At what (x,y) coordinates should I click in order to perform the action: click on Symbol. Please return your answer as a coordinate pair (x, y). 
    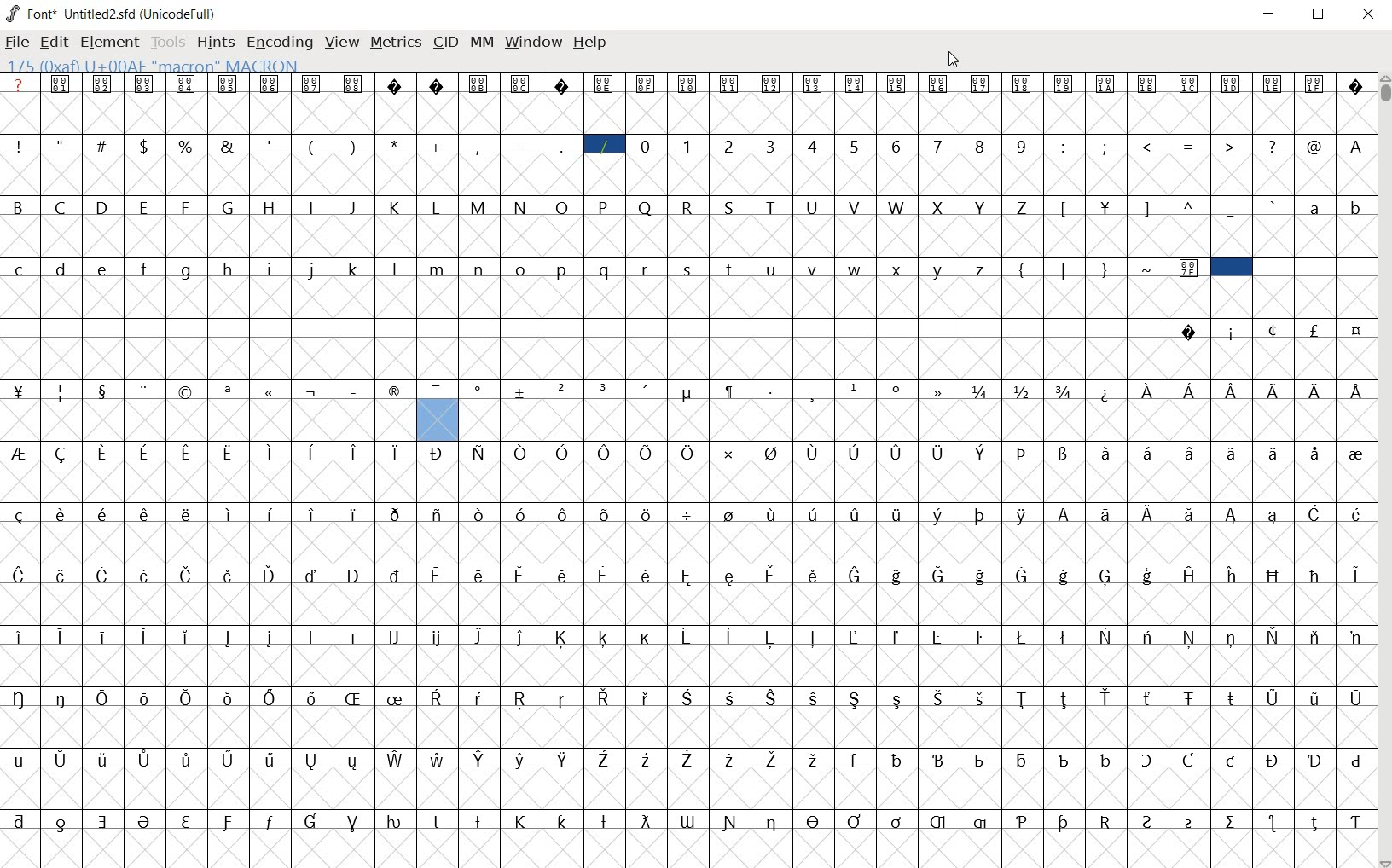
    Looking at the image, I should click on (356, 451).